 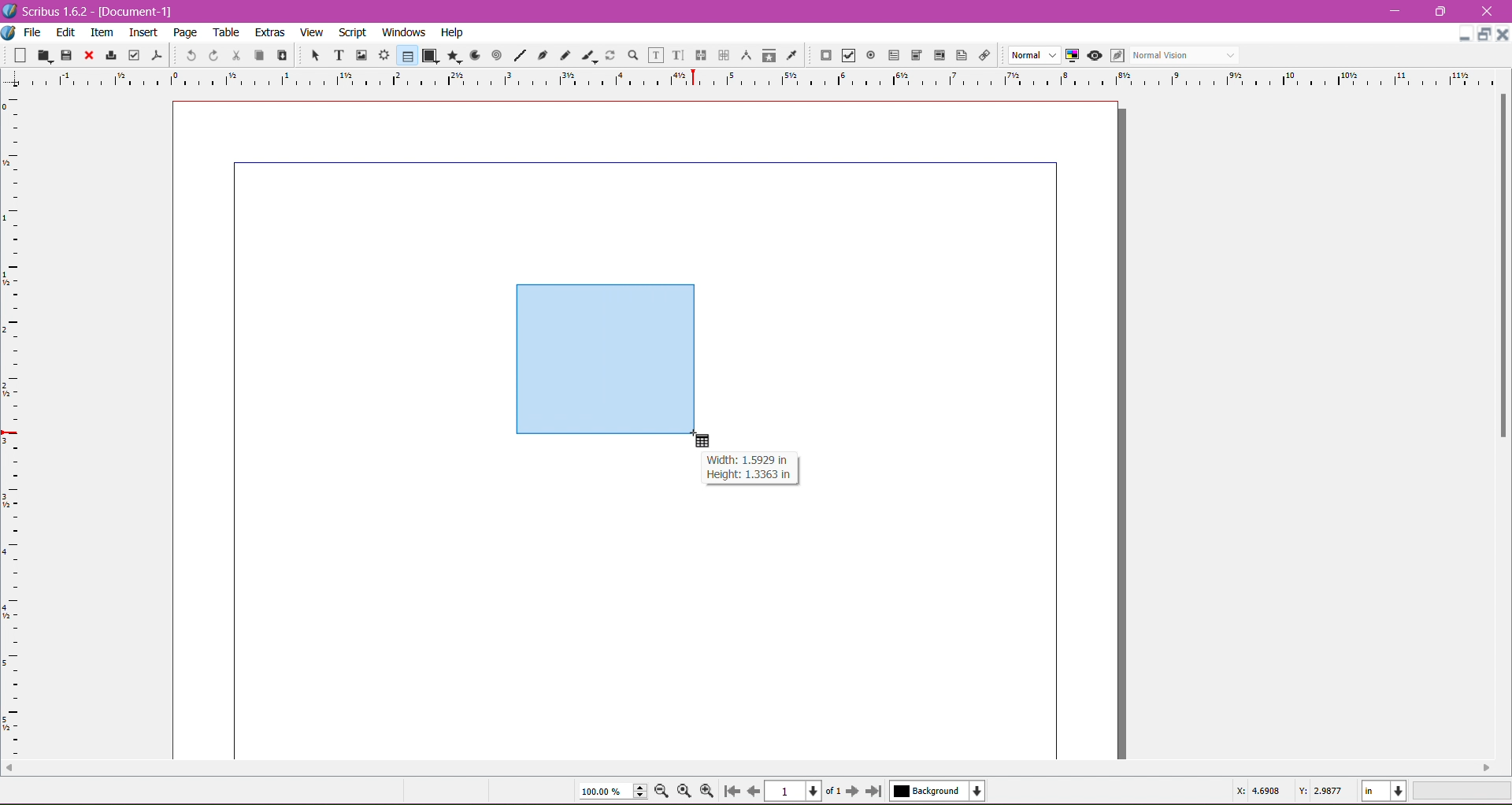 I want to click on Insert a table (A), so click(x=43, y=790).